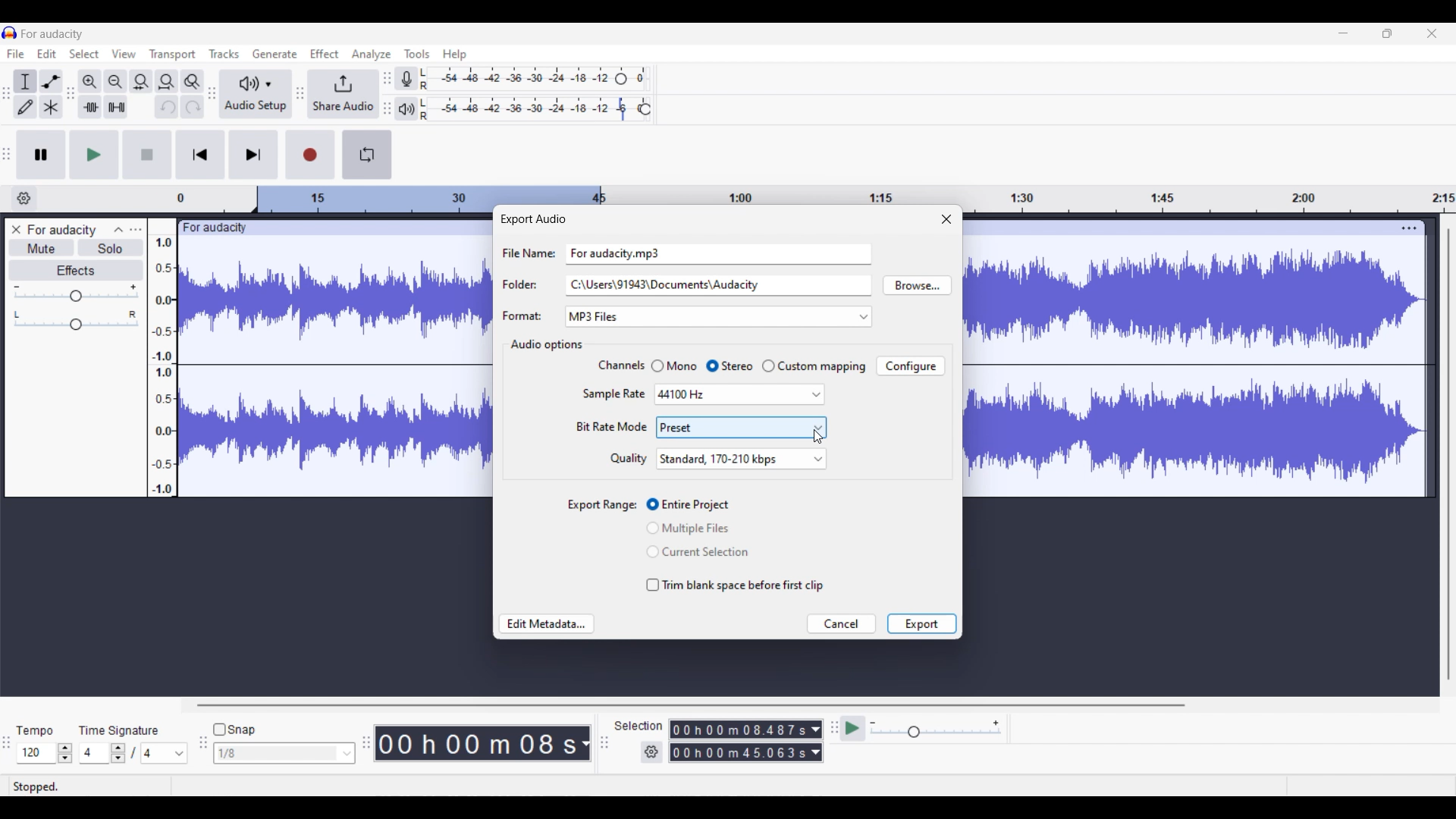 This screenshot has height=819, width=1456. What do you see at coordinates (621, 79) in the screenshot?
I see `Header to change recording level` at bounding box center [621, 79].